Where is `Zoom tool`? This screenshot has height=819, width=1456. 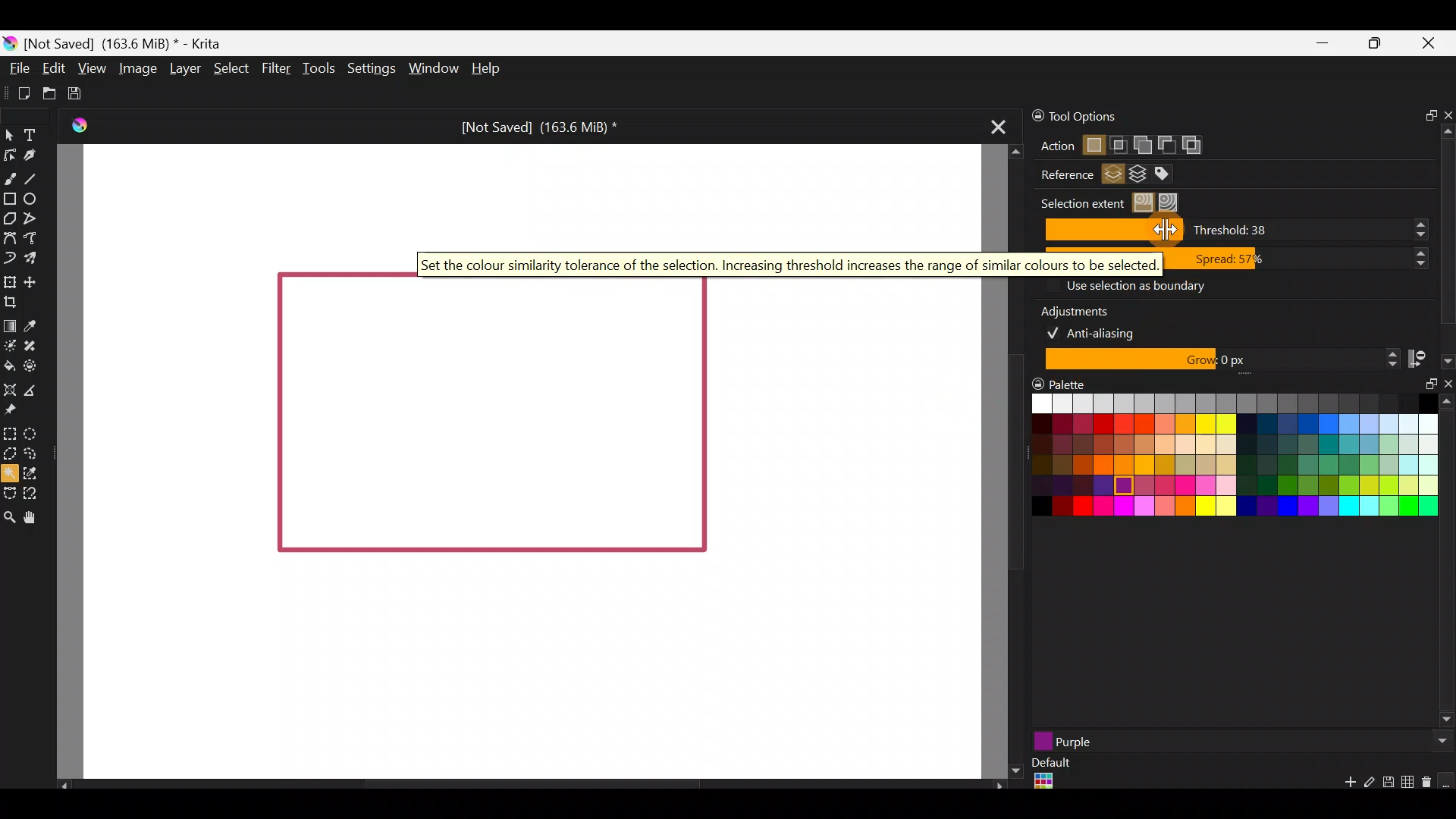 Zoom tool is located at coordinates (9, 516).